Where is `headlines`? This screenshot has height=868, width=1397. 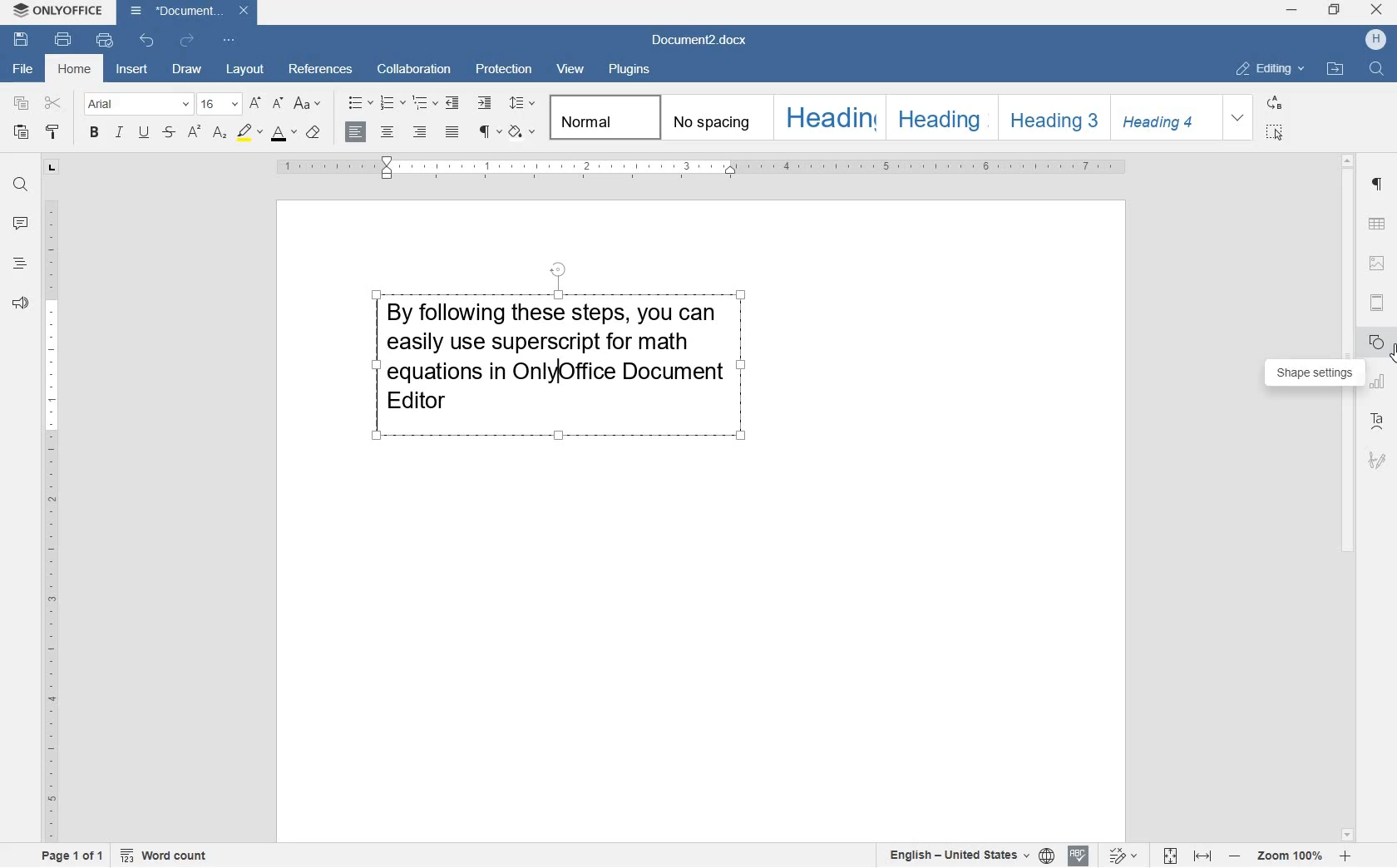
headlines is located at coordinates (20, 267).